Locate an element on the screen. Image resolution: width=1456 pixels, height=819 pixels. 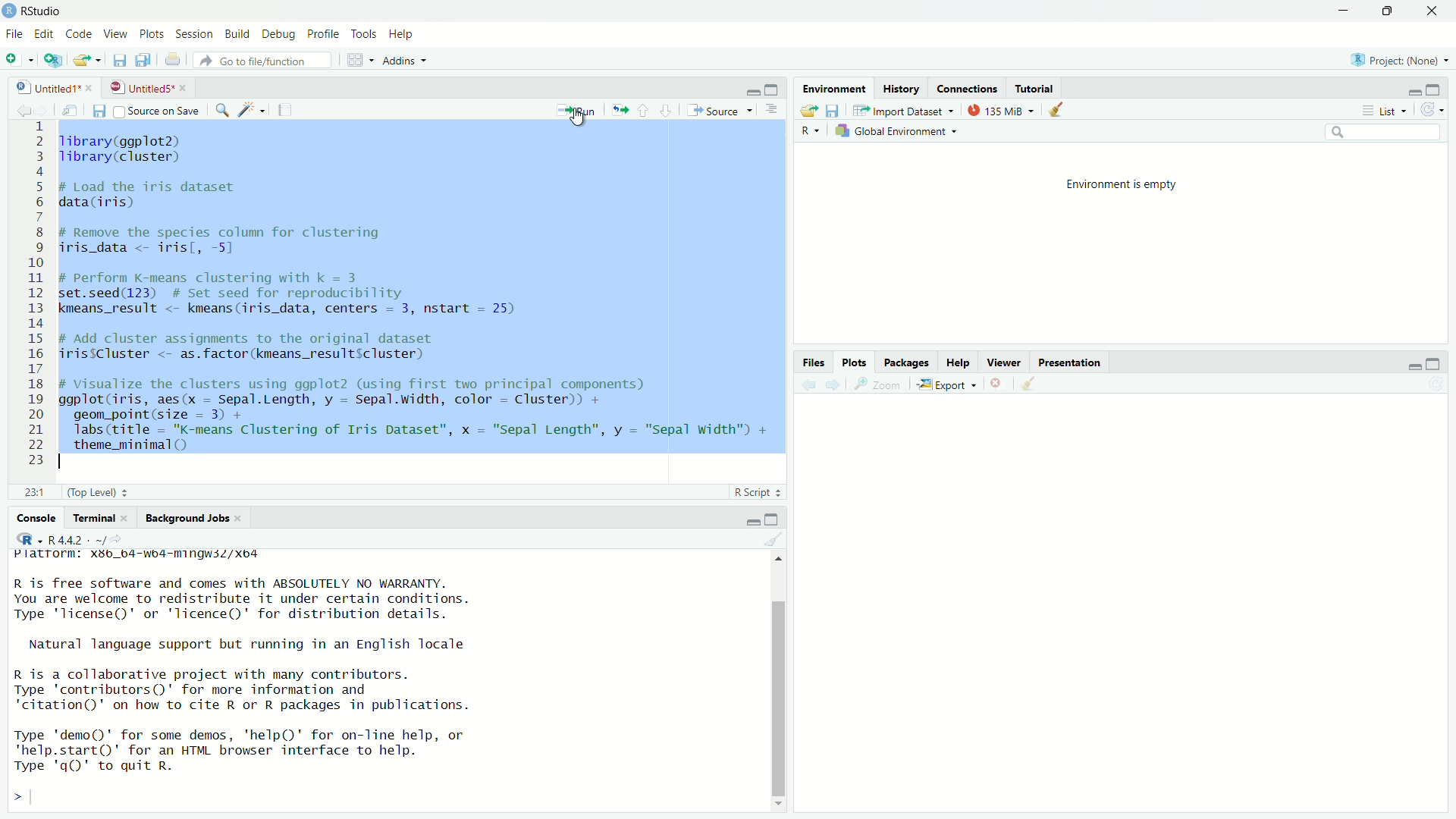
help is located at coordinates (406, 34).